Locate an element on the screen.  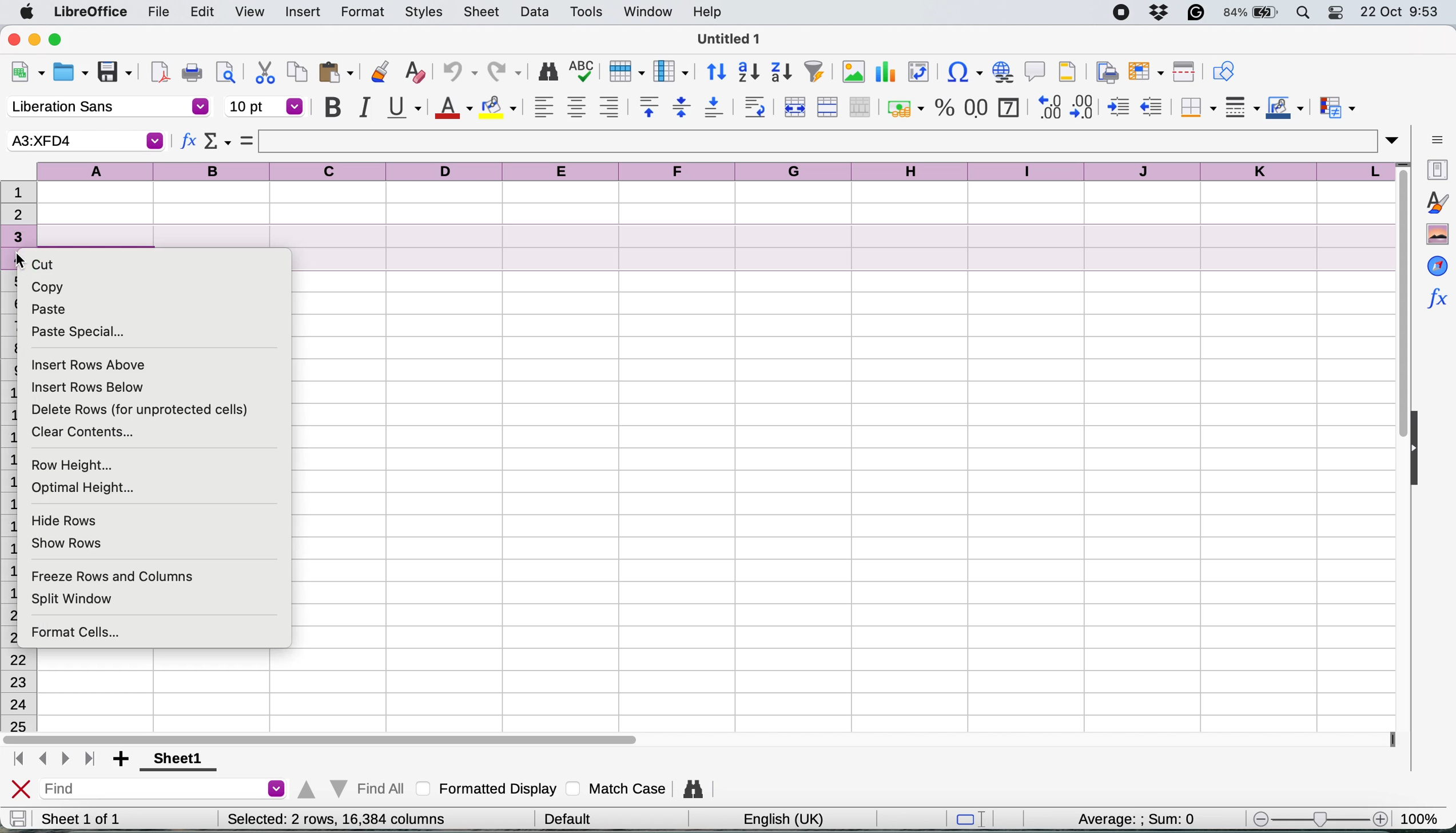
center vertically is located at coordinates (681, 106).